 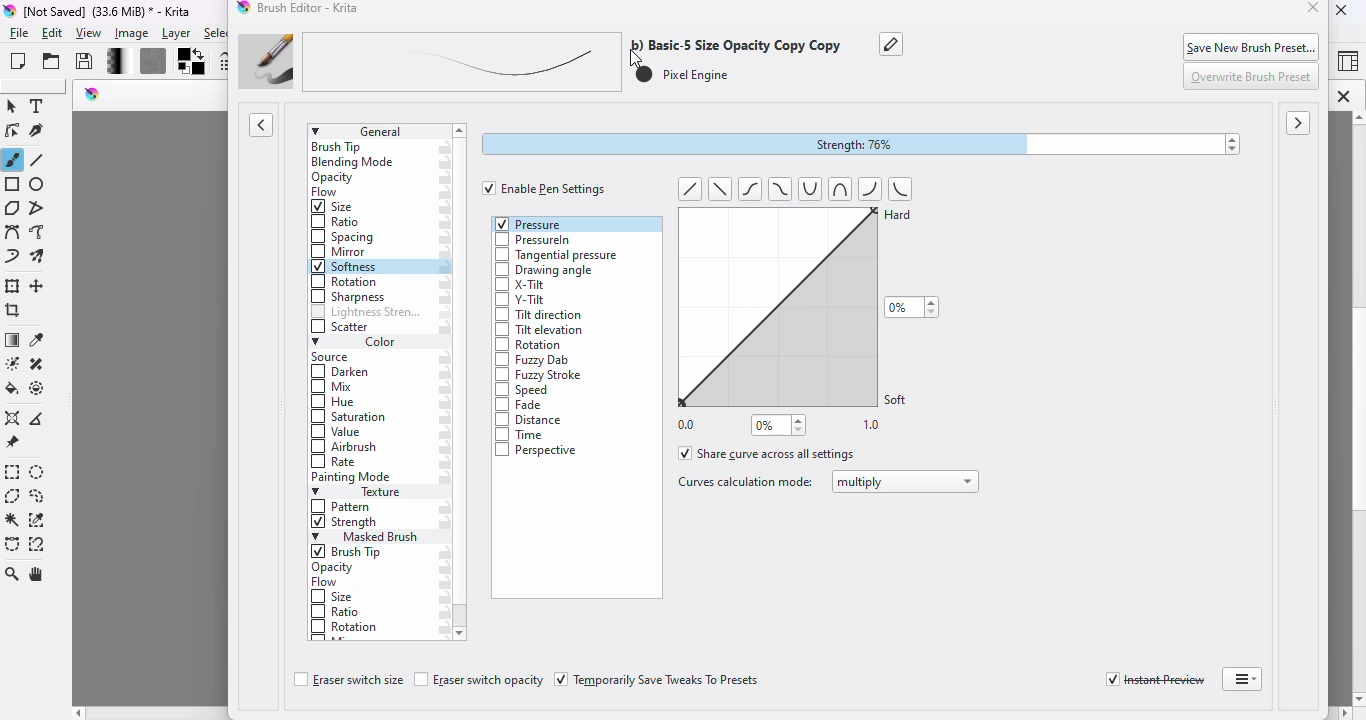 What do you see at coordinates (344, 448) in the screenshot?
I see `airbrush` at bounding box center [344, 448].